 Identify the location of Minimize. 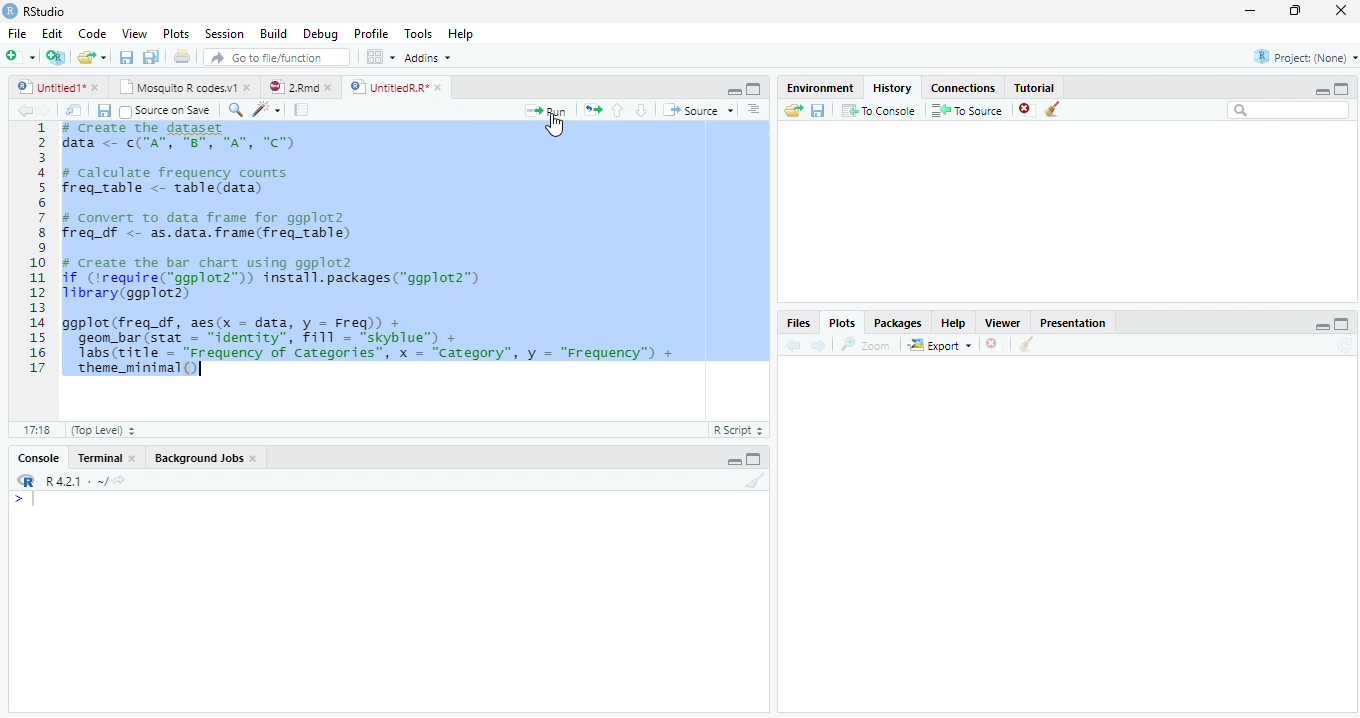
(1251, 10).